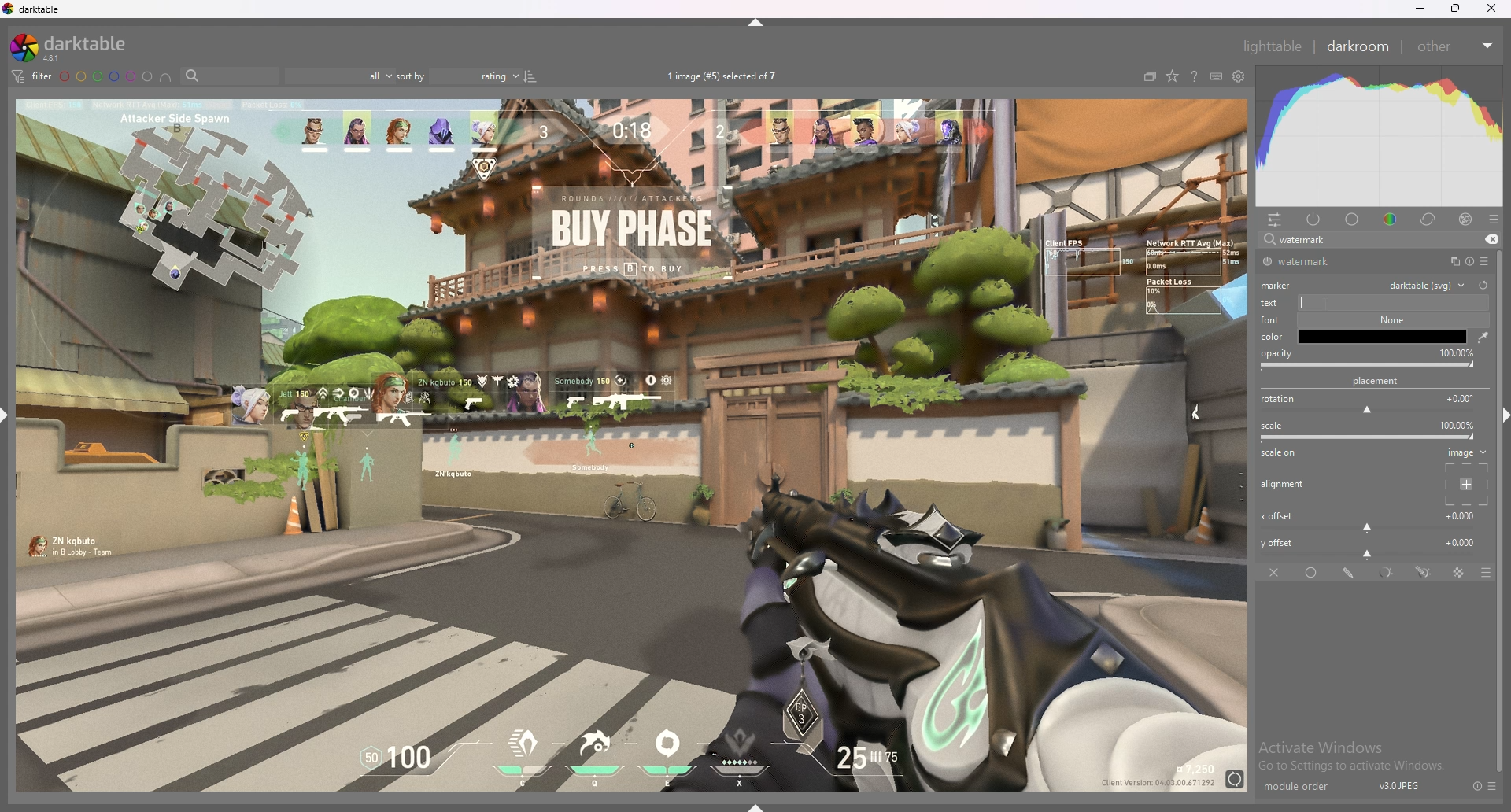  What do you see at coordinates (338, 76) in the screenshot?
I see `filter by rating` at bounding box center [338, 76].